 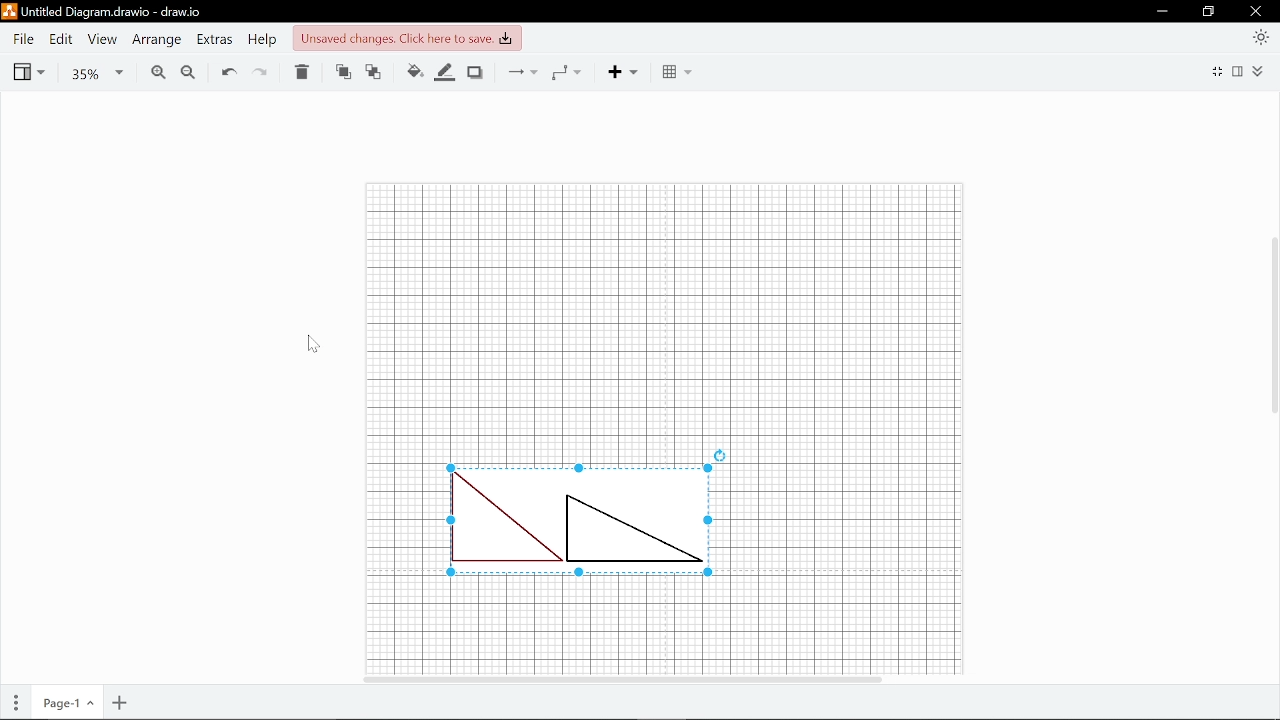 What do you see at coordinates (525, 71) in the screenshot?
I see `Connections` at bounding box center [525, 71].